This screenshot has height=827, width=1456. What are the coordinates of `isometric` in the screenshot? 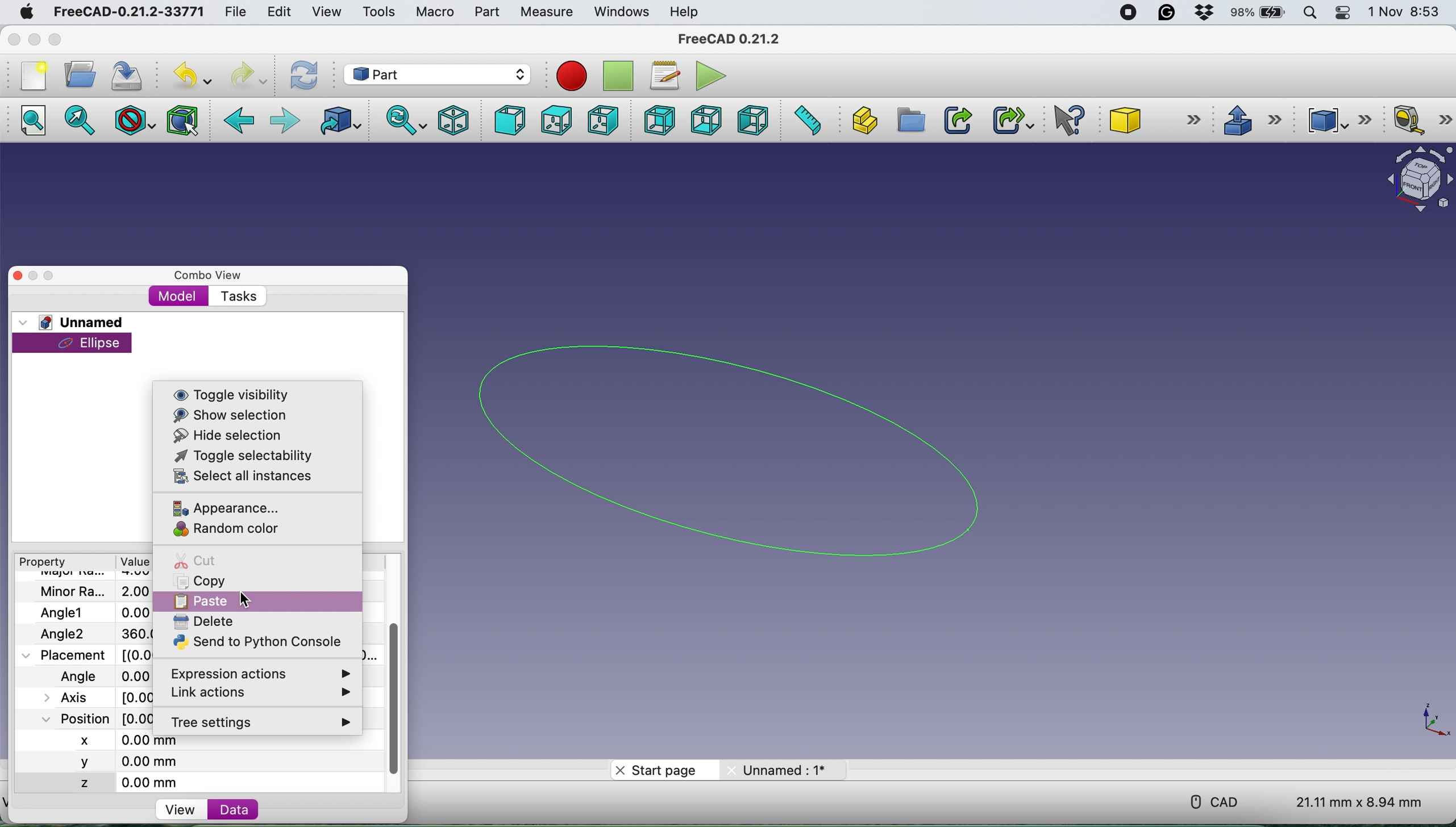 It's located at (454, 119).